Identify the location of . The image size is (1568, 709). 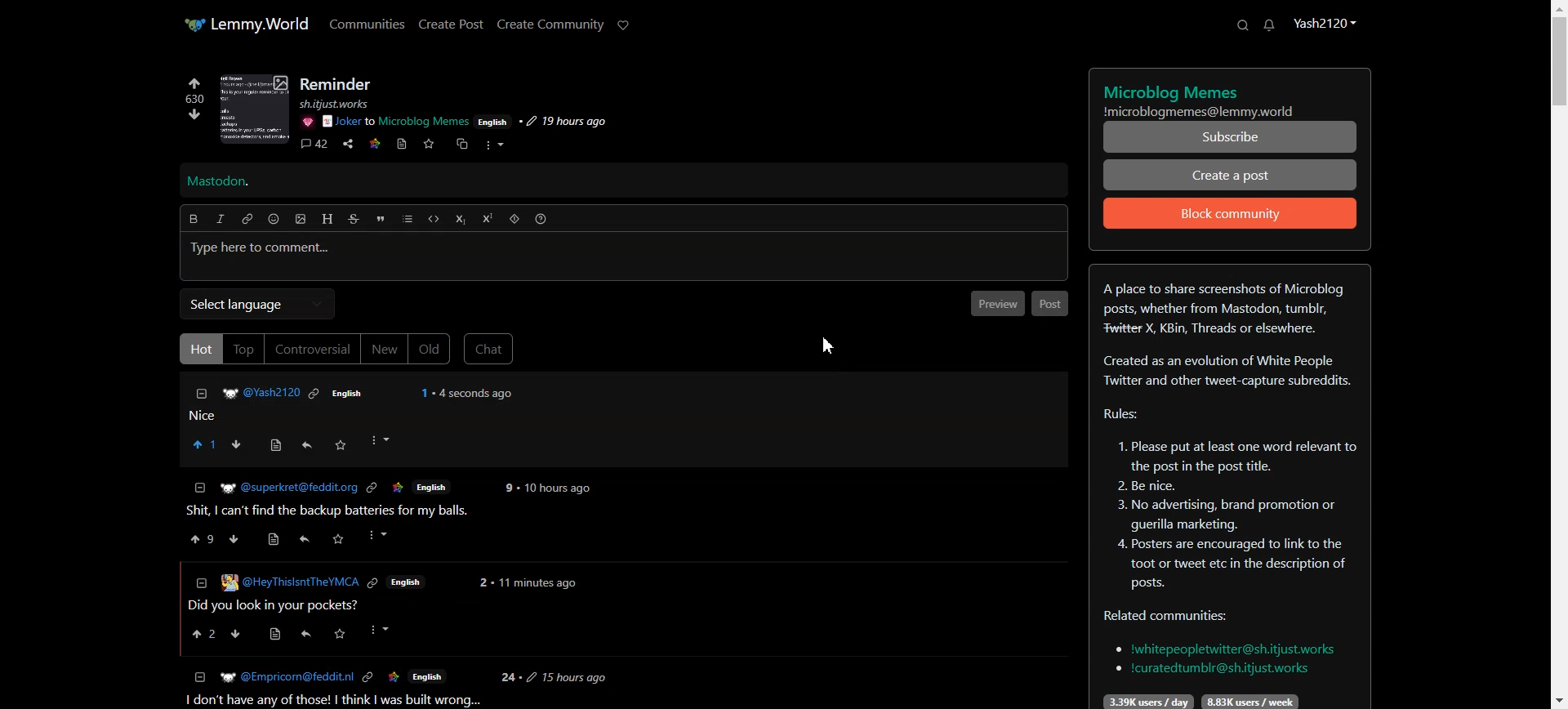
(341, 541).